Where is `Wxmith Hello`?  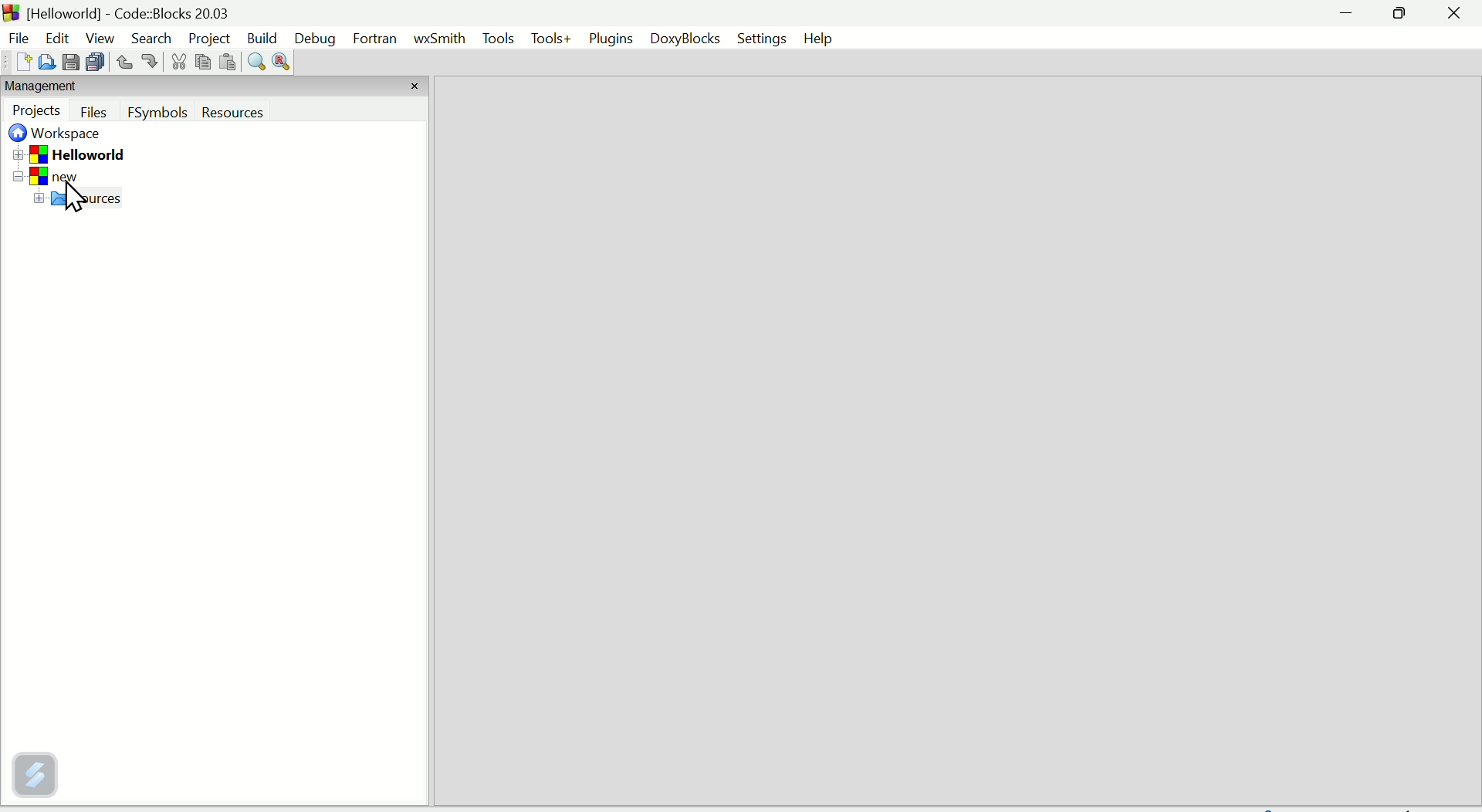
Wxmith Hello is located at coordinates (441, 43).